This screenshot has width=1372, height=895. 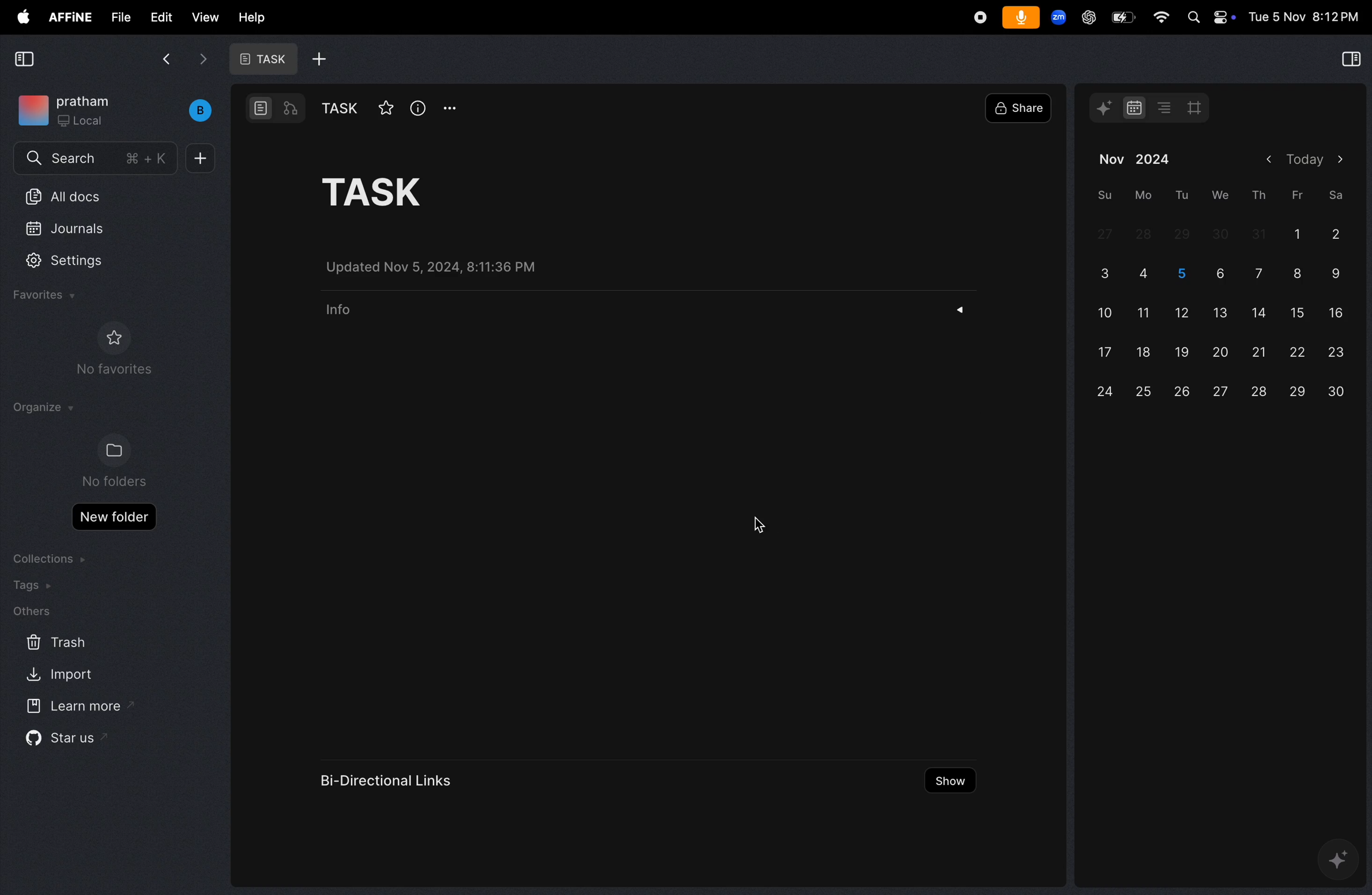 What do you see at coordinates (19, 17) in the screenshot?
I see `apple menu` at bounding box center [19, 17].